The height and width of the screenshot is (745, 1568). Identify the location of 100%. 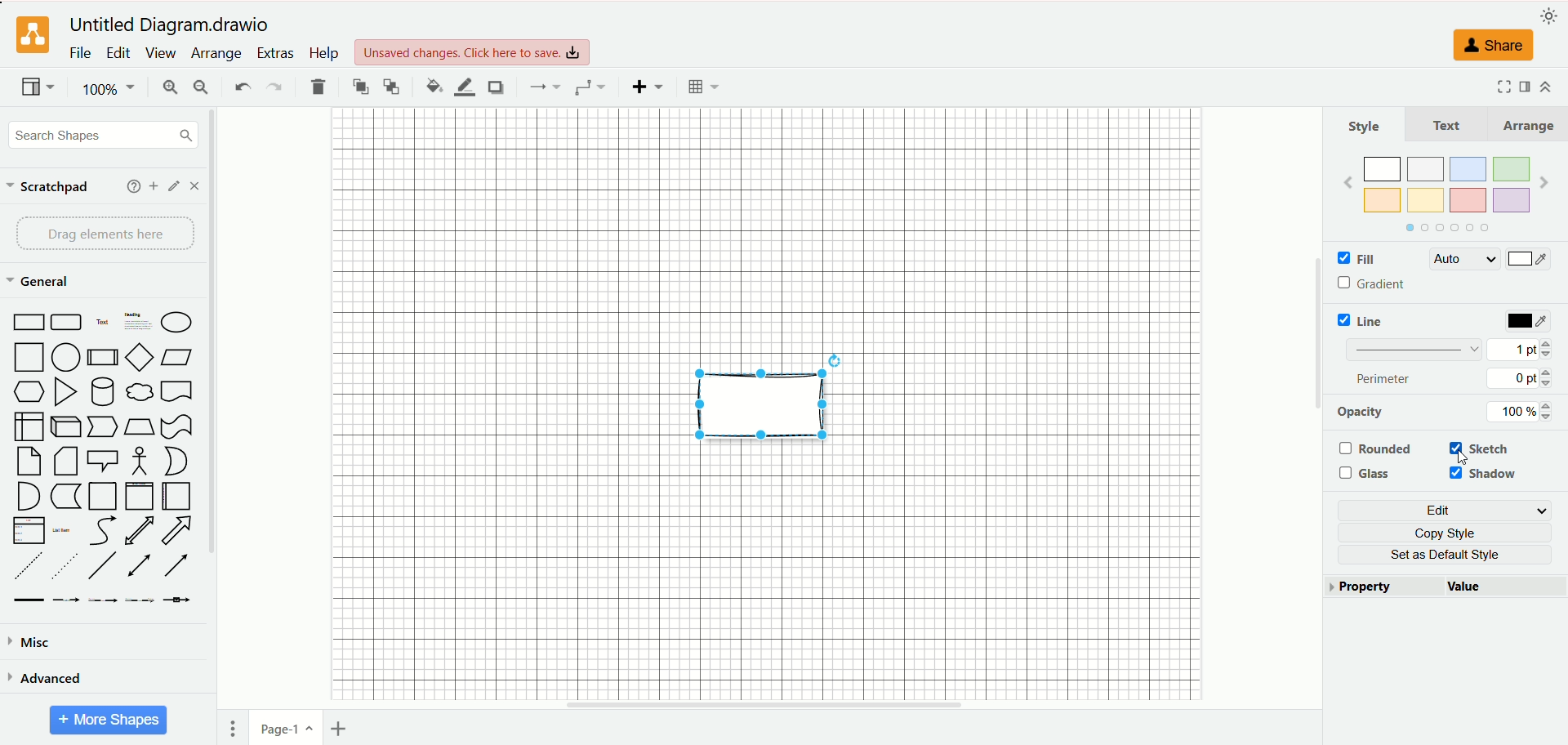
(110, 89).